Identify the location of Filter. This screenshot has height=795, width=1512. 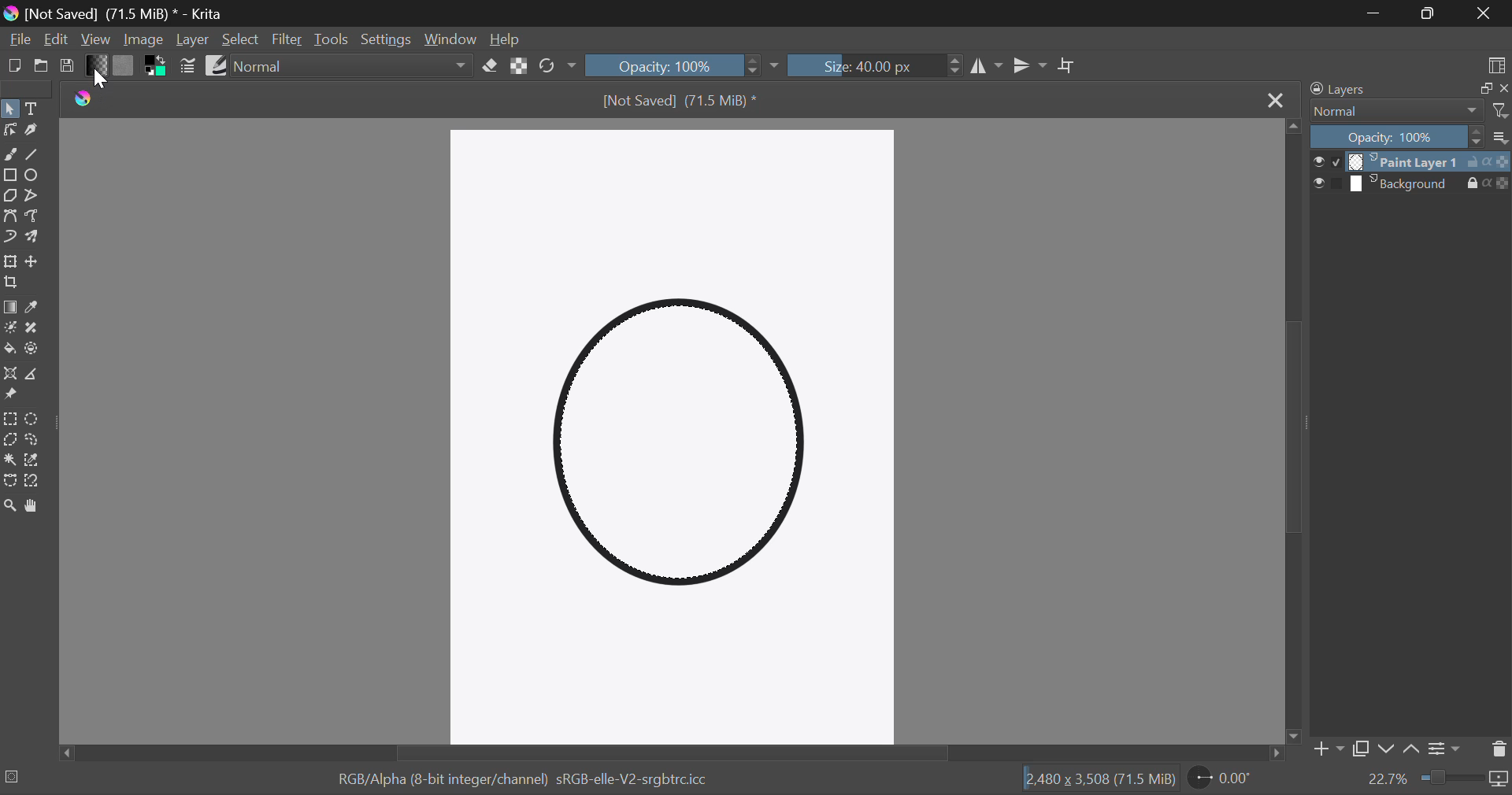
(287, 39).